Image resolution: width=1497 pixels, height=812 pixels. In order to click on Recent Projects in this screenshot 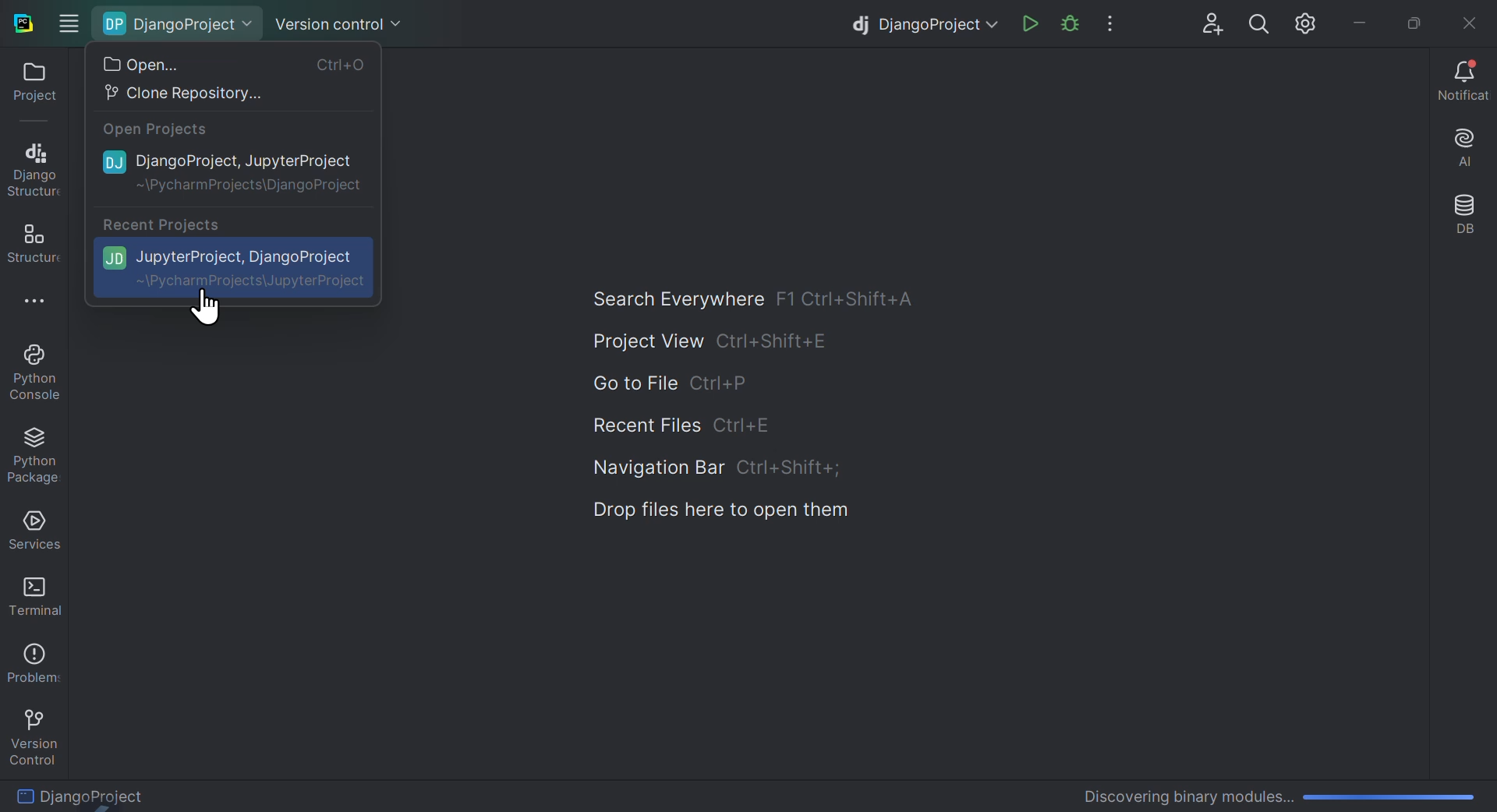, I will do `click(221, 219)`.